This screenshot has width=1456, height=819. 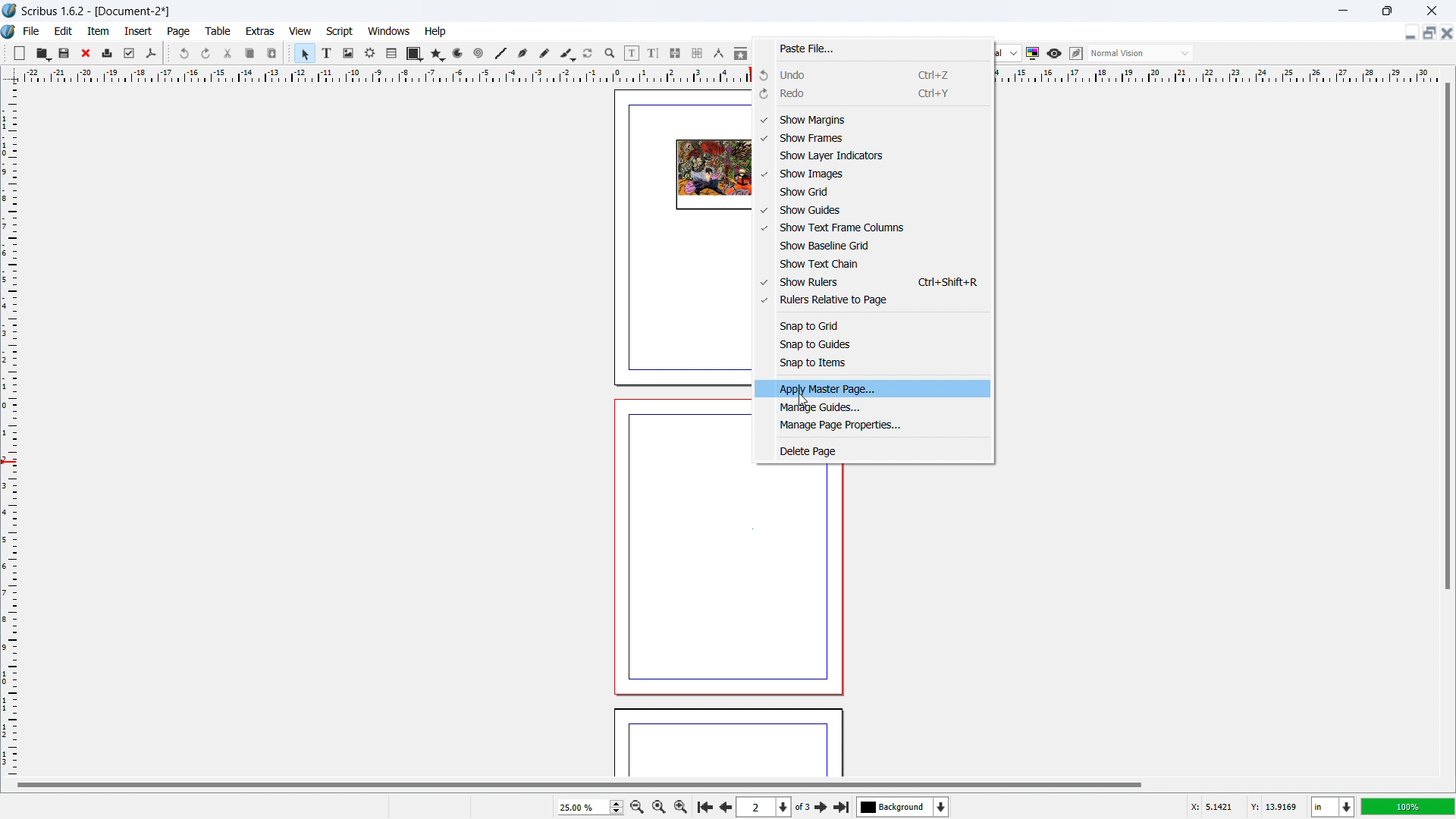 What do you see at coordinates (10, 11) in the screenshot?
I see `logo` at bounding box center [10, 11].